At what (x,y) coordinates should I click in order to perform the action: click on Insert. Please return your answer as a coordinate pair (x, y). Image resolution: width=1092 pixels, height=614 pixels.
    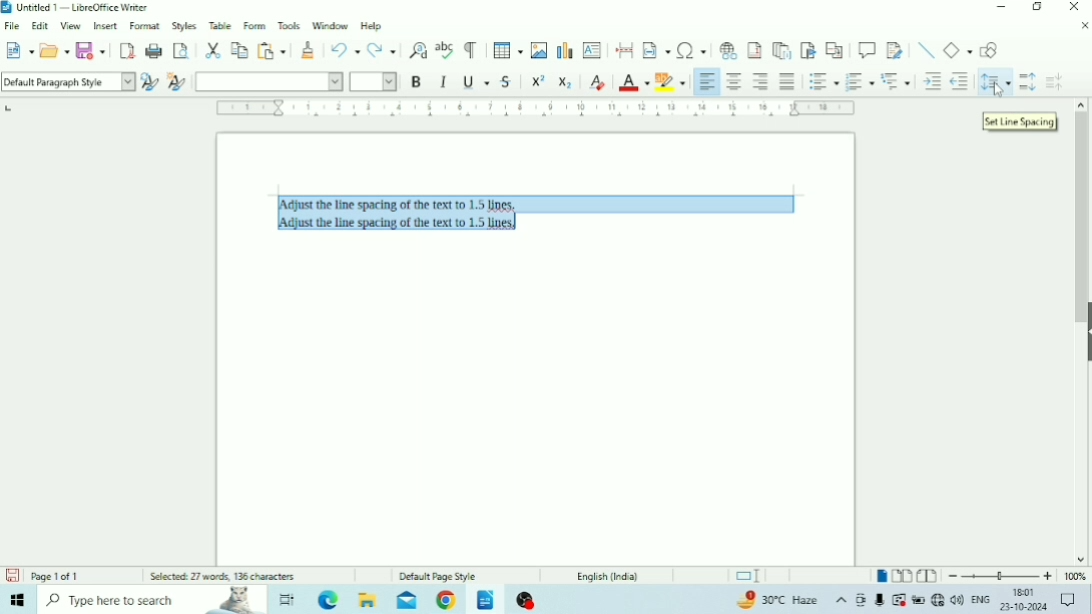
    Looking at the image, I should click on (105, 24).